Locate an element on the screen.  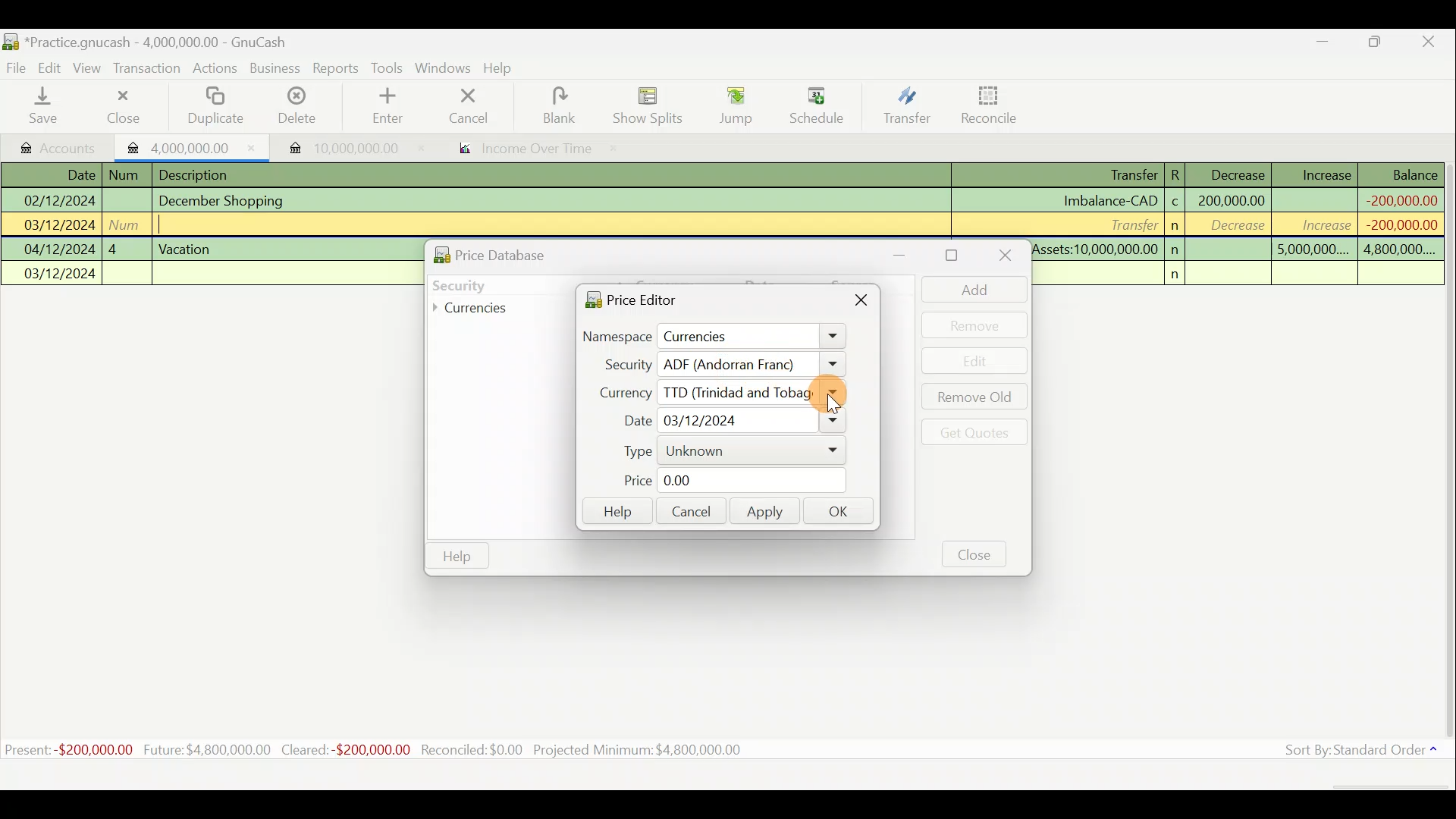
Cursor is located at coordinates (836, 403).